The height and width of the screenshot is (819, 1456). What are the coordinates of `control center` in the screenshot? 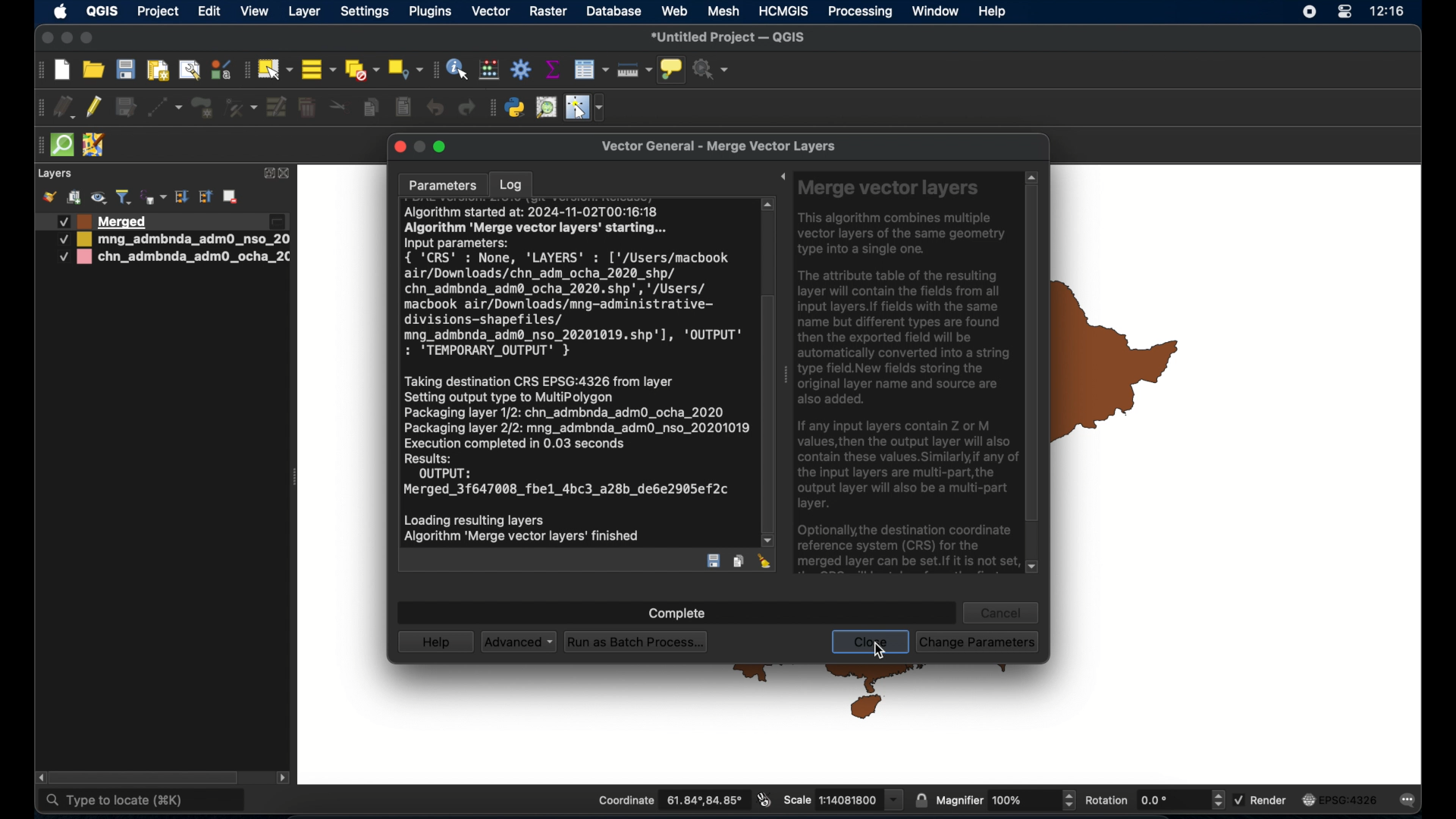 It's located at (1344, 13).